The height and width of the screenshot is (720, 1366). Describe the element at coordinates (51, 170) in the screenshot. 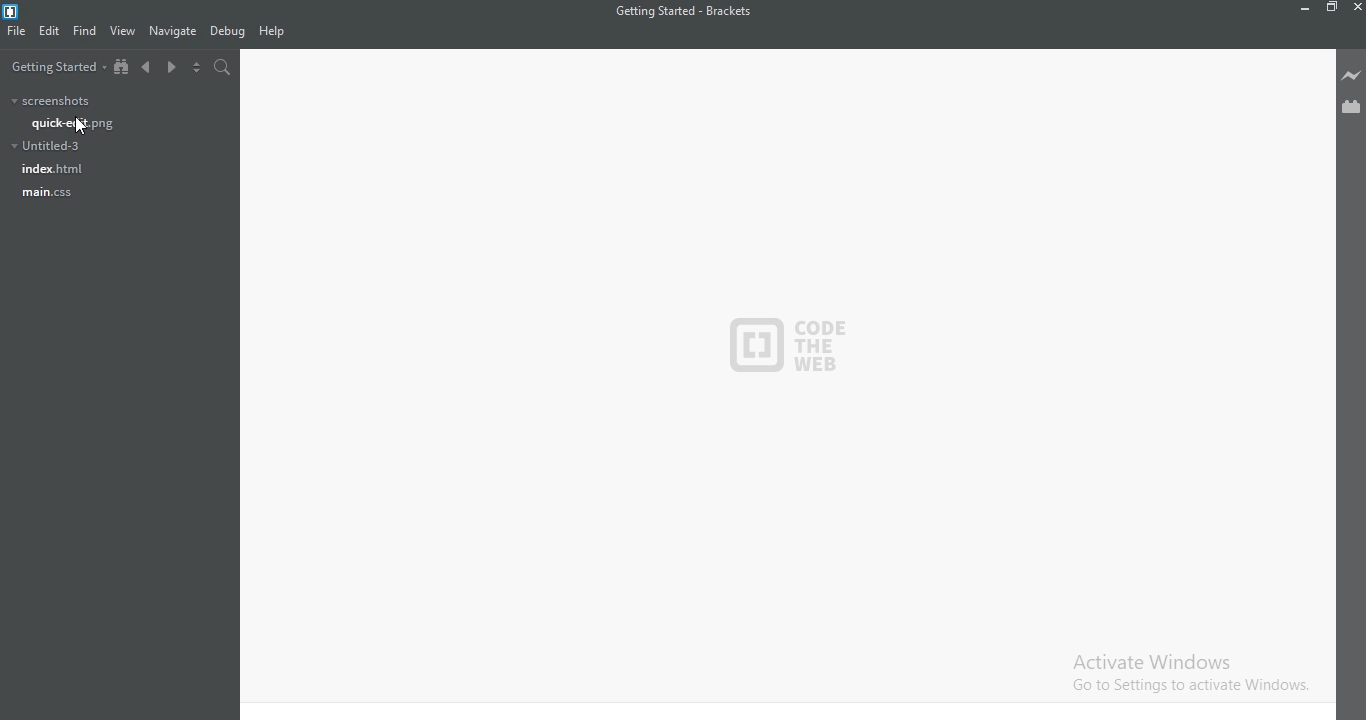

I see `index.html` at that location.